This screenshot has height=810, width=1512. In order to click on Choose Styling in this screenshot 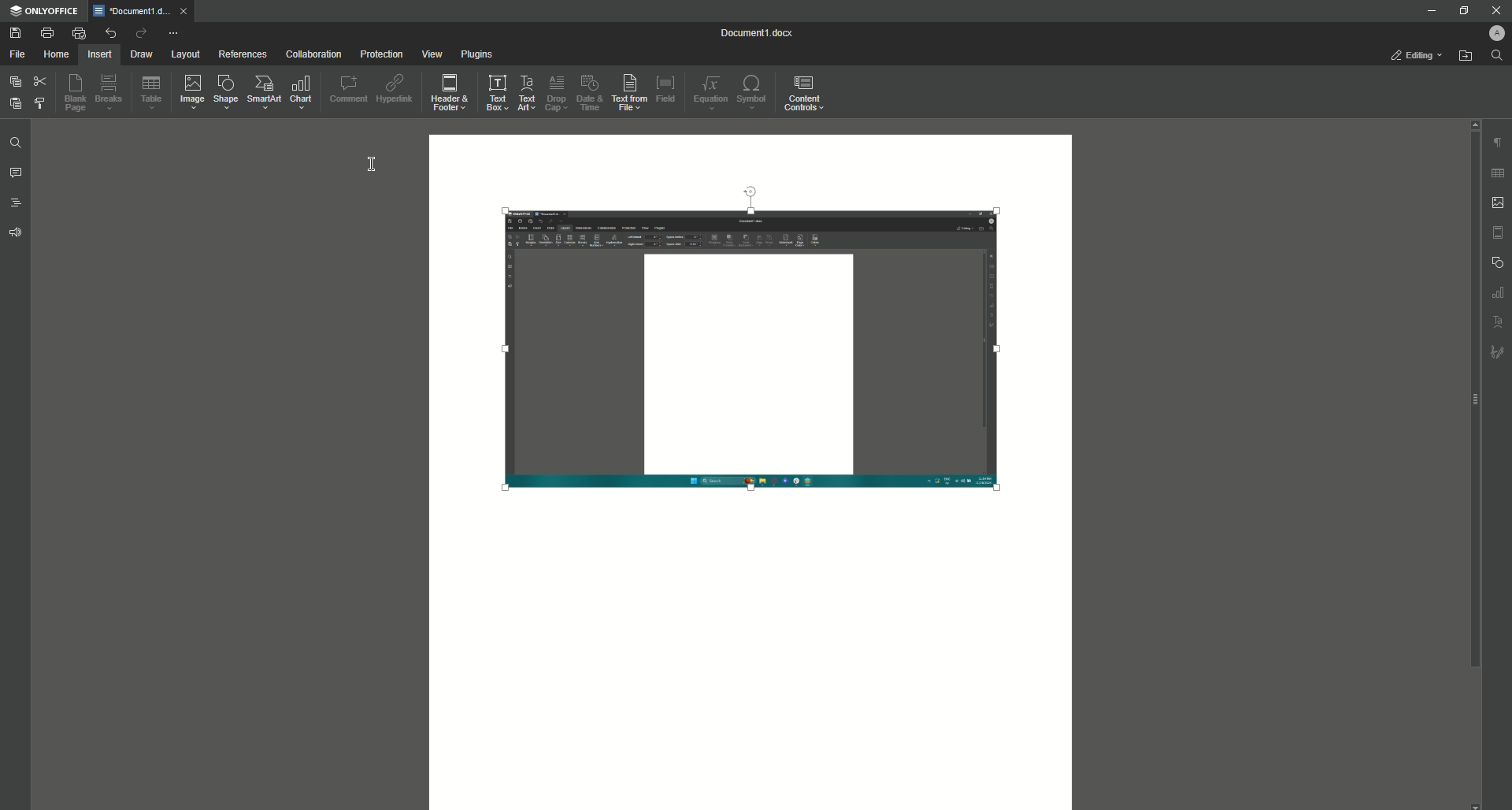, I will do `click(40, 104)`.